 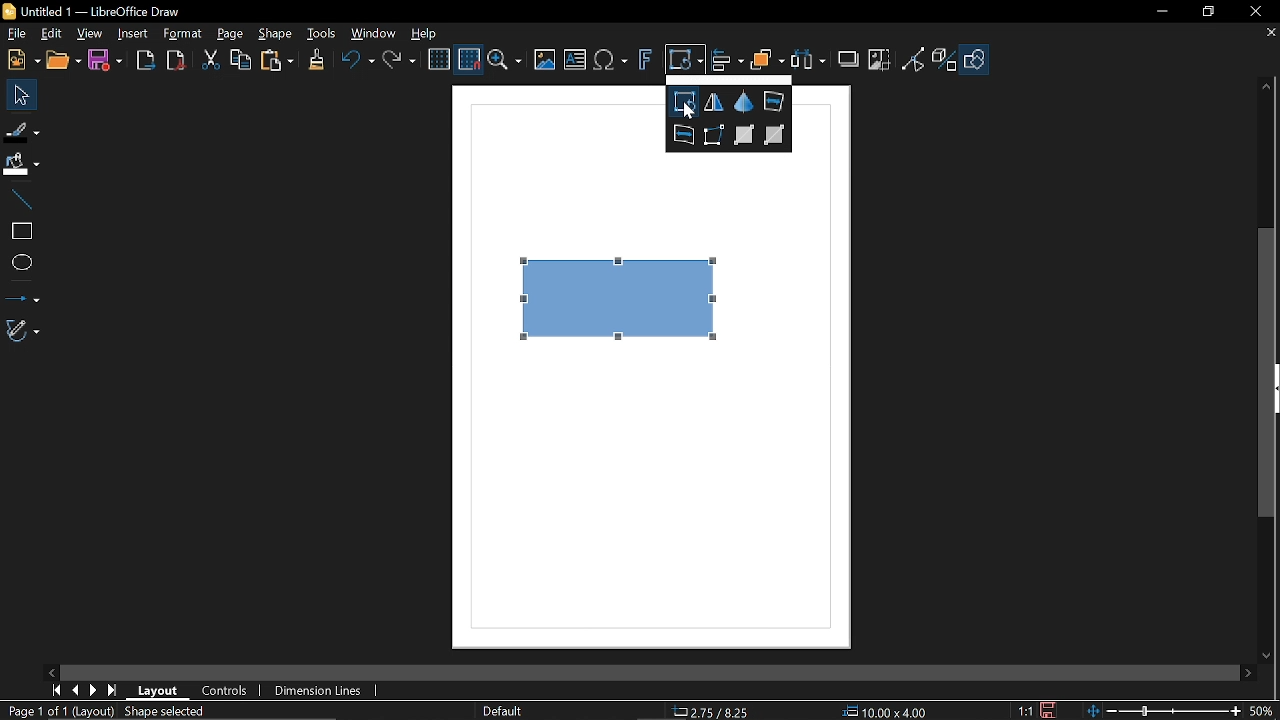 What do you see at coordinates (1267, 372) in the screenshot?
I see `Vertical scrollbar` at bounding box center [1267, 372].